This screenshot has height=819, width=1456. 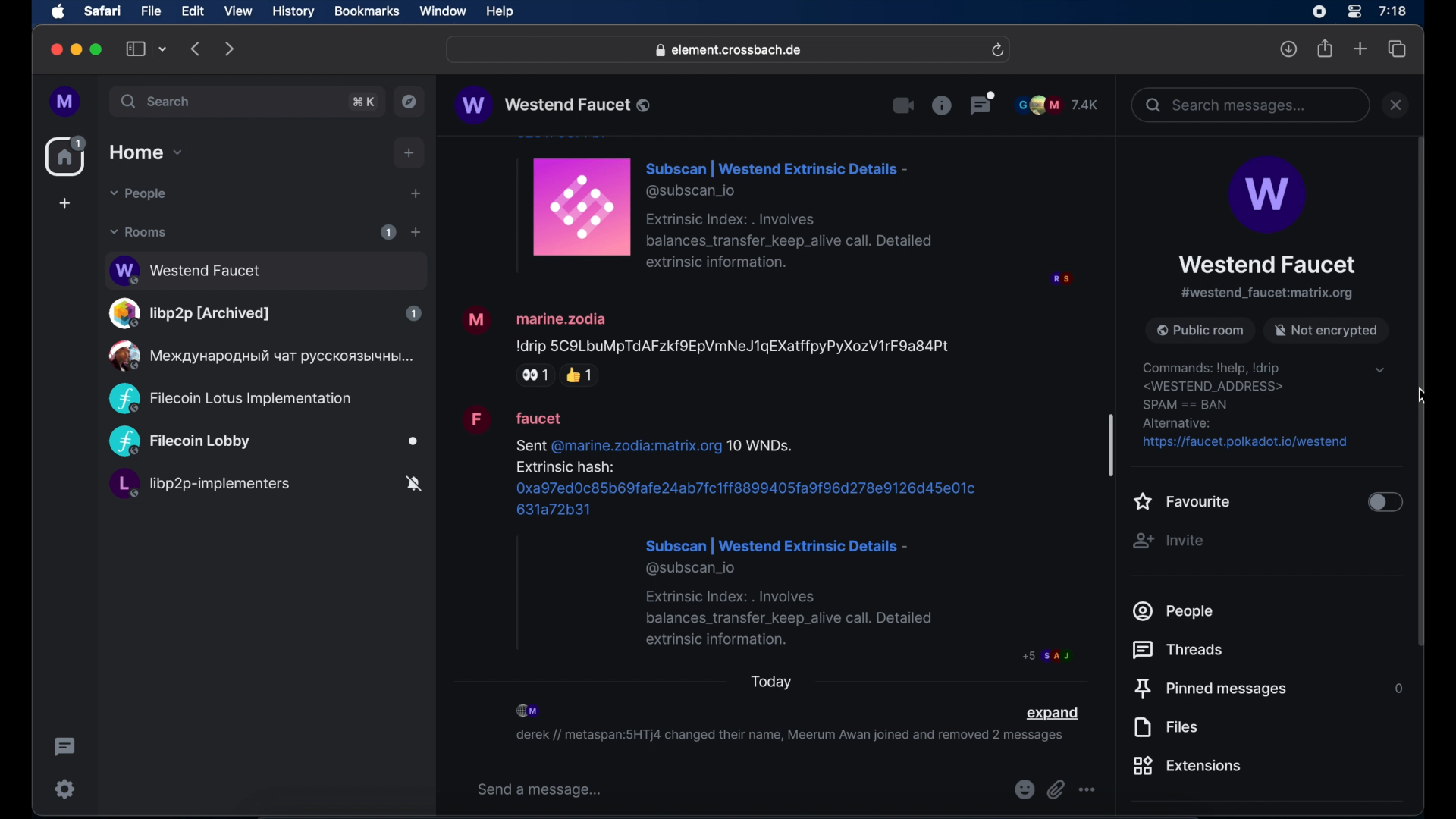 I want to click on tab group picker, so click(x=163, y=49).